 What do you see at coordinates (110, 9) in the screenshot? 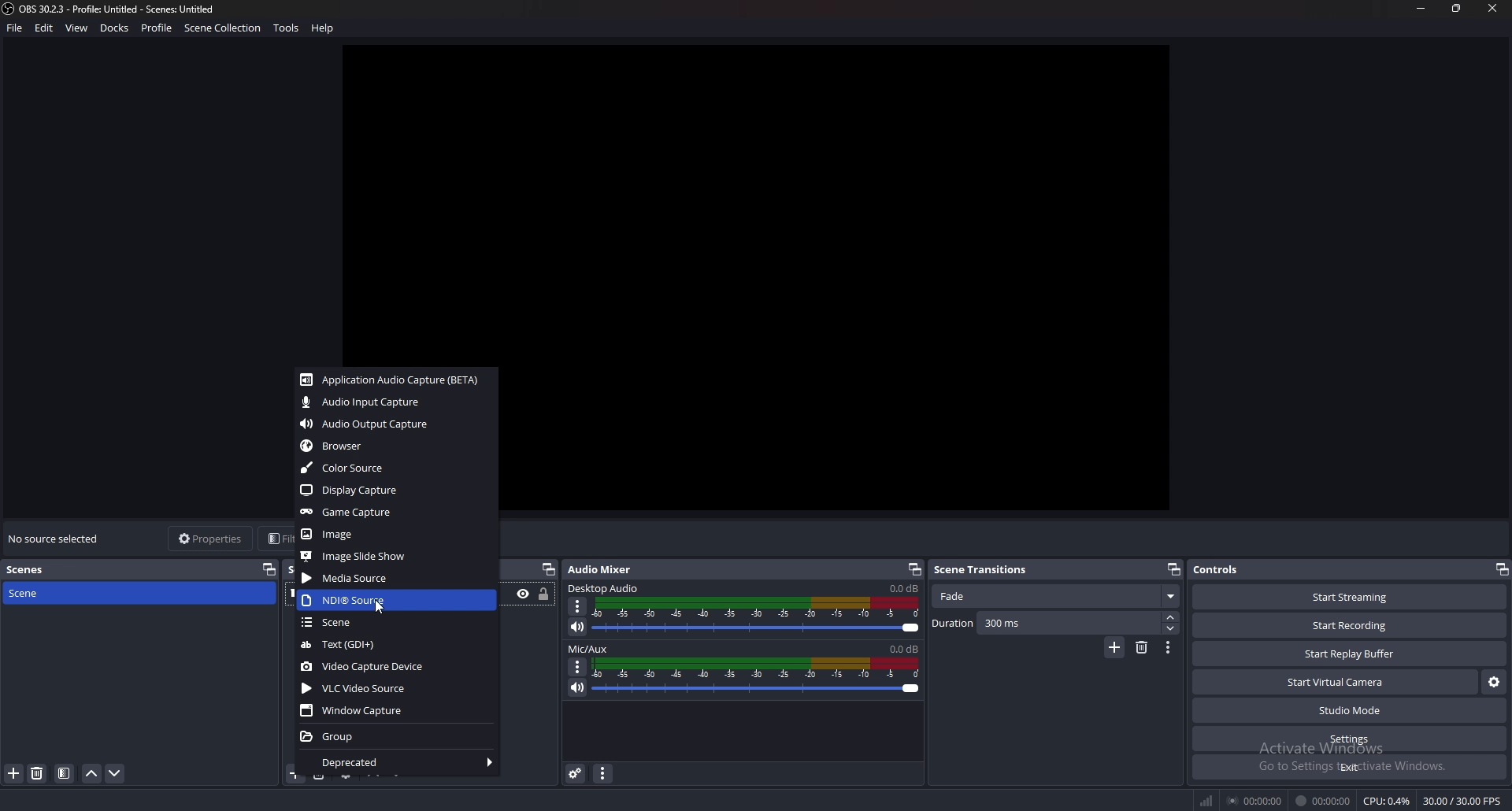
I see `file name` at bounding box center [110, 9].